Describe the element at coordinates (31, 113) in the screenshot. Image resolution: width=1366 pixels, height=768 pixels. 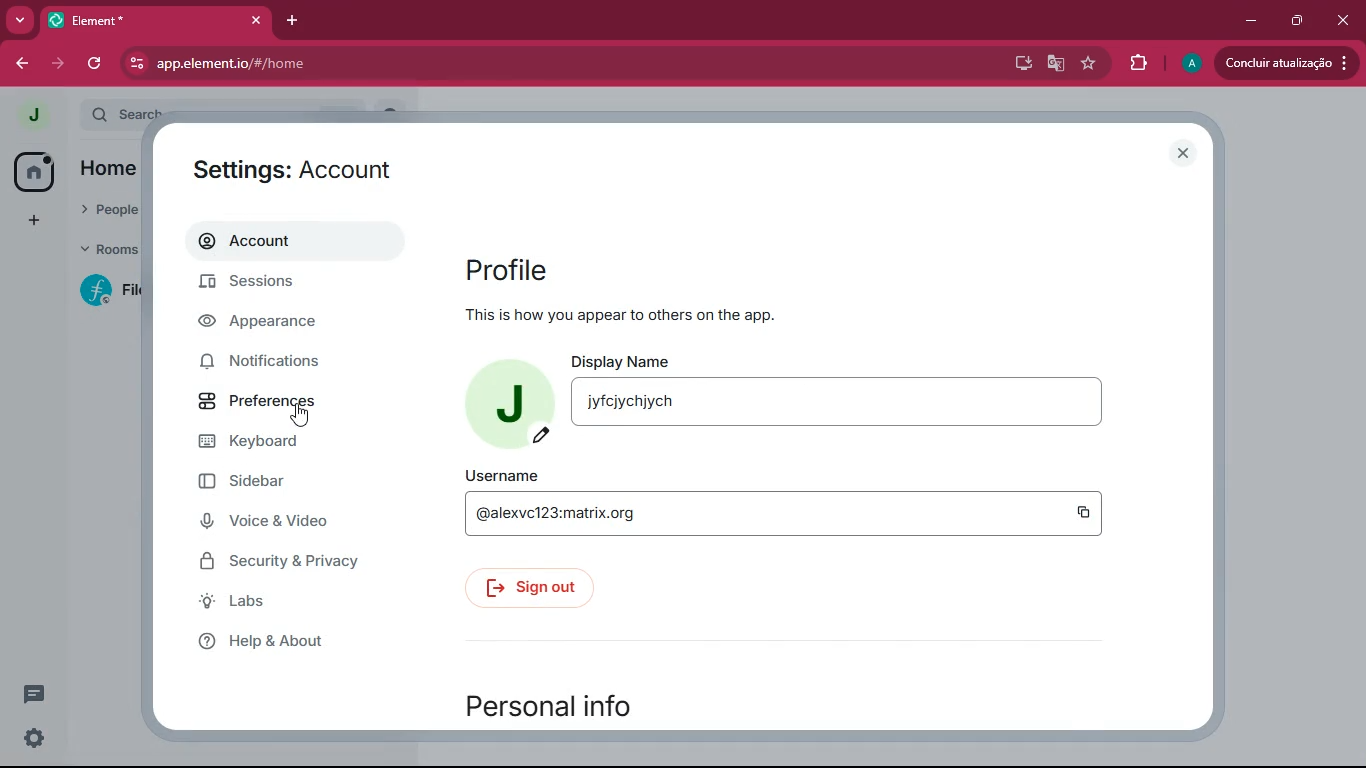
I see `profile` at that location.